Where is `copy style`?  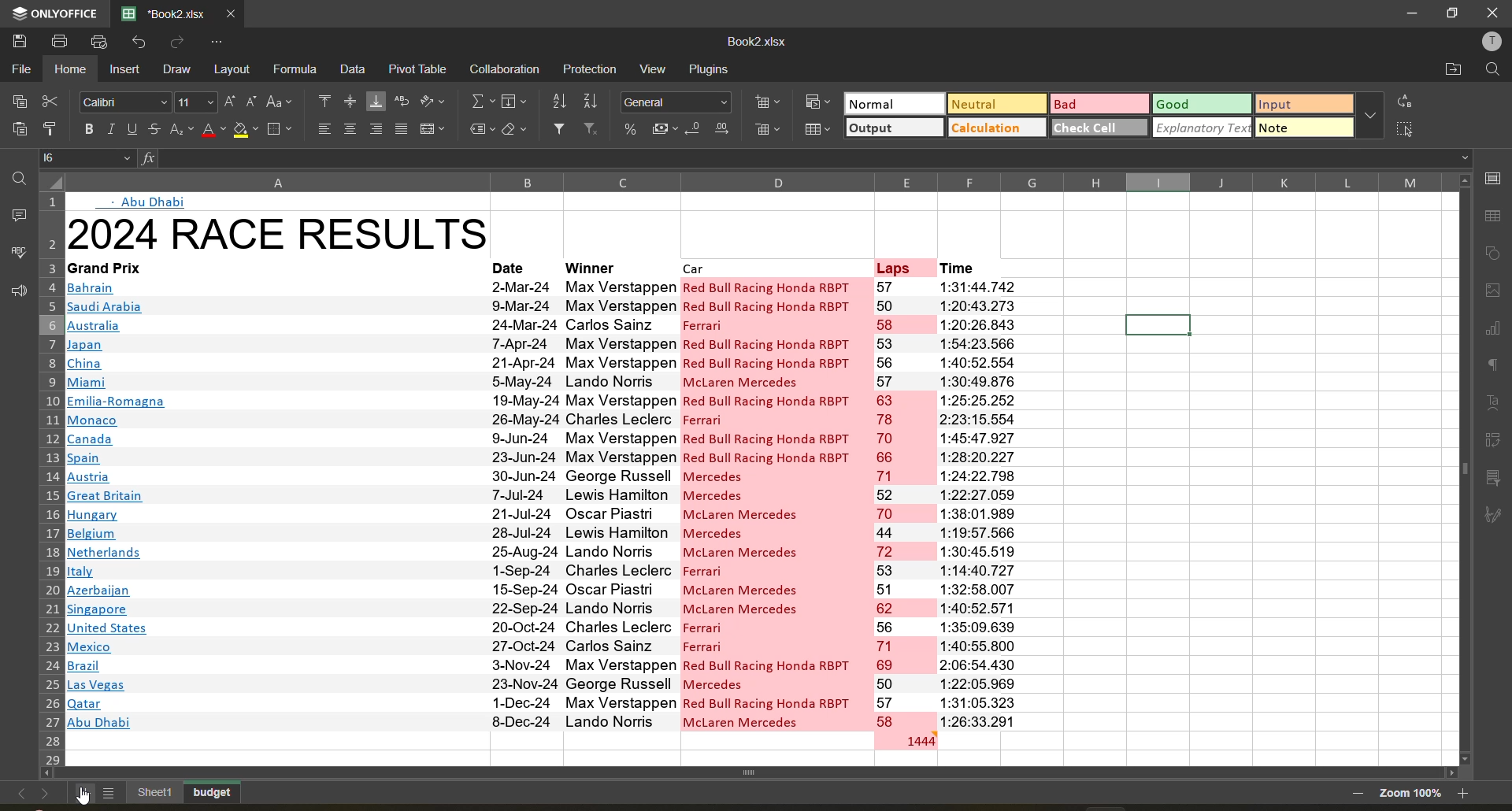
copy style is located at coordinates (50, 131).